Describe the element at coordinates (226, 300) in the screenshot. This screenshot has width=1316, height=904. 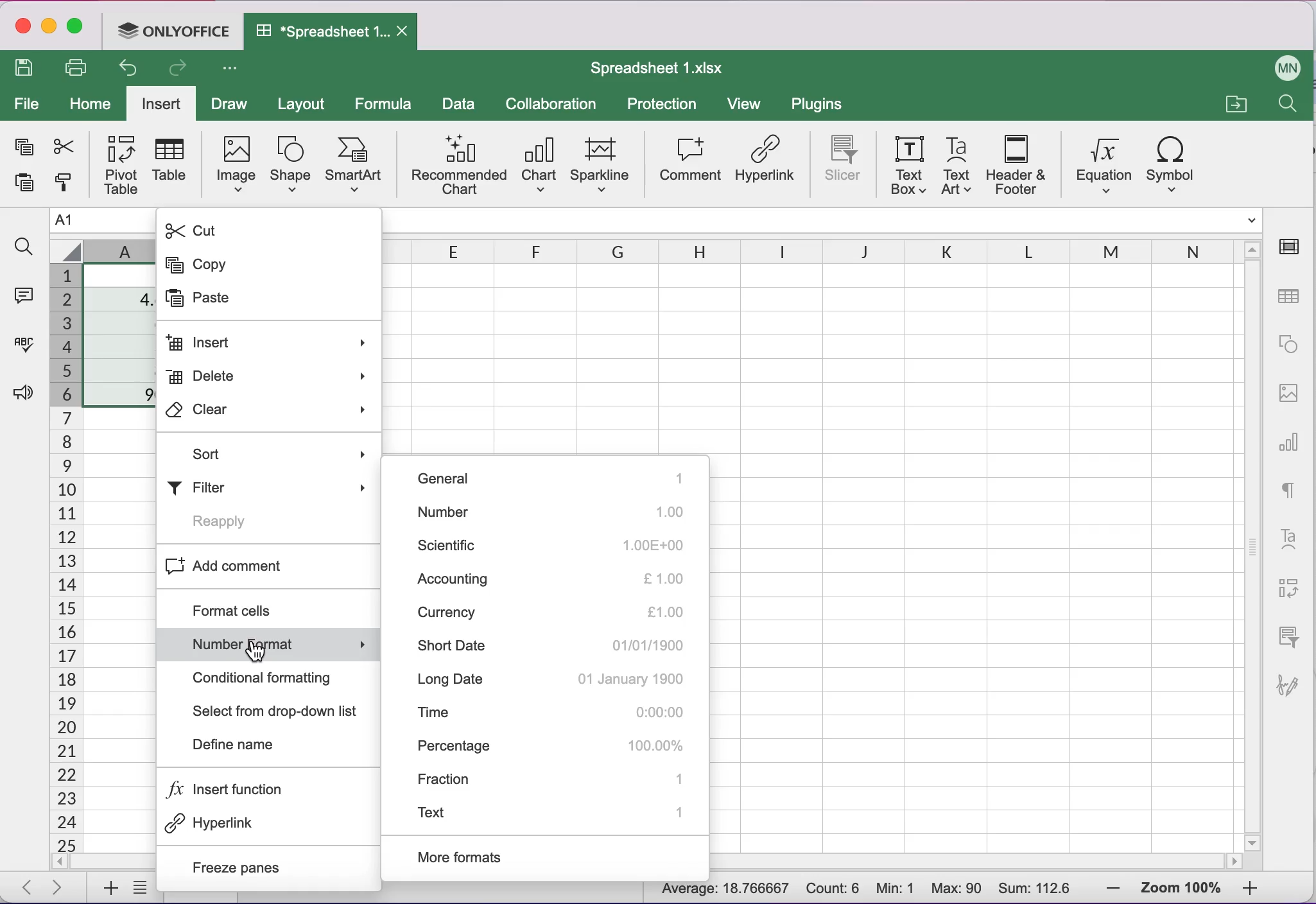
I see `Paste` at that location.